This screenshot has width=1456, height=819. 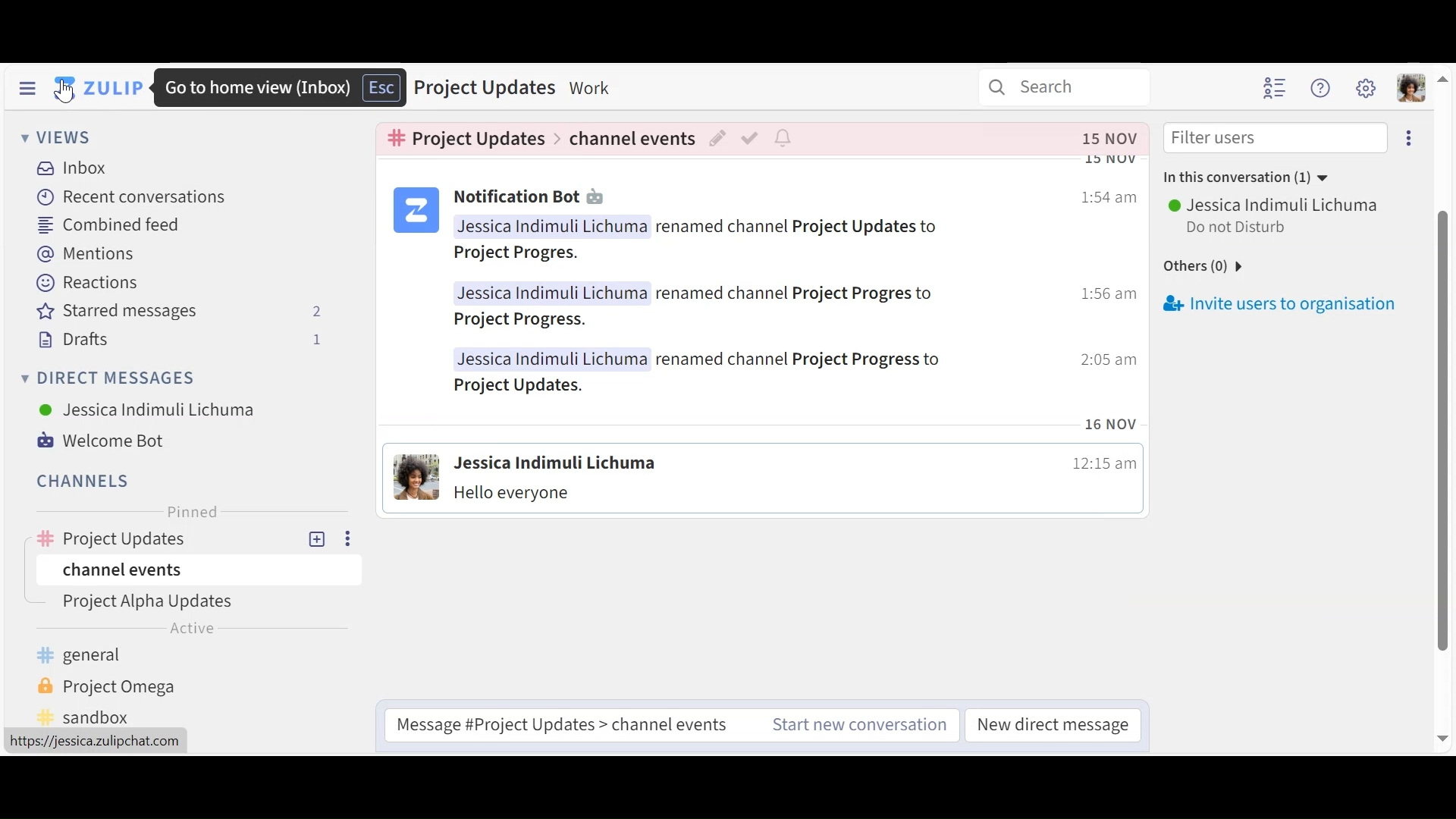 What do you see at coordinates (93, 742) in the screenshot?
I see `https://jessica.zulipchat.com` at bounding box center [93, 742].